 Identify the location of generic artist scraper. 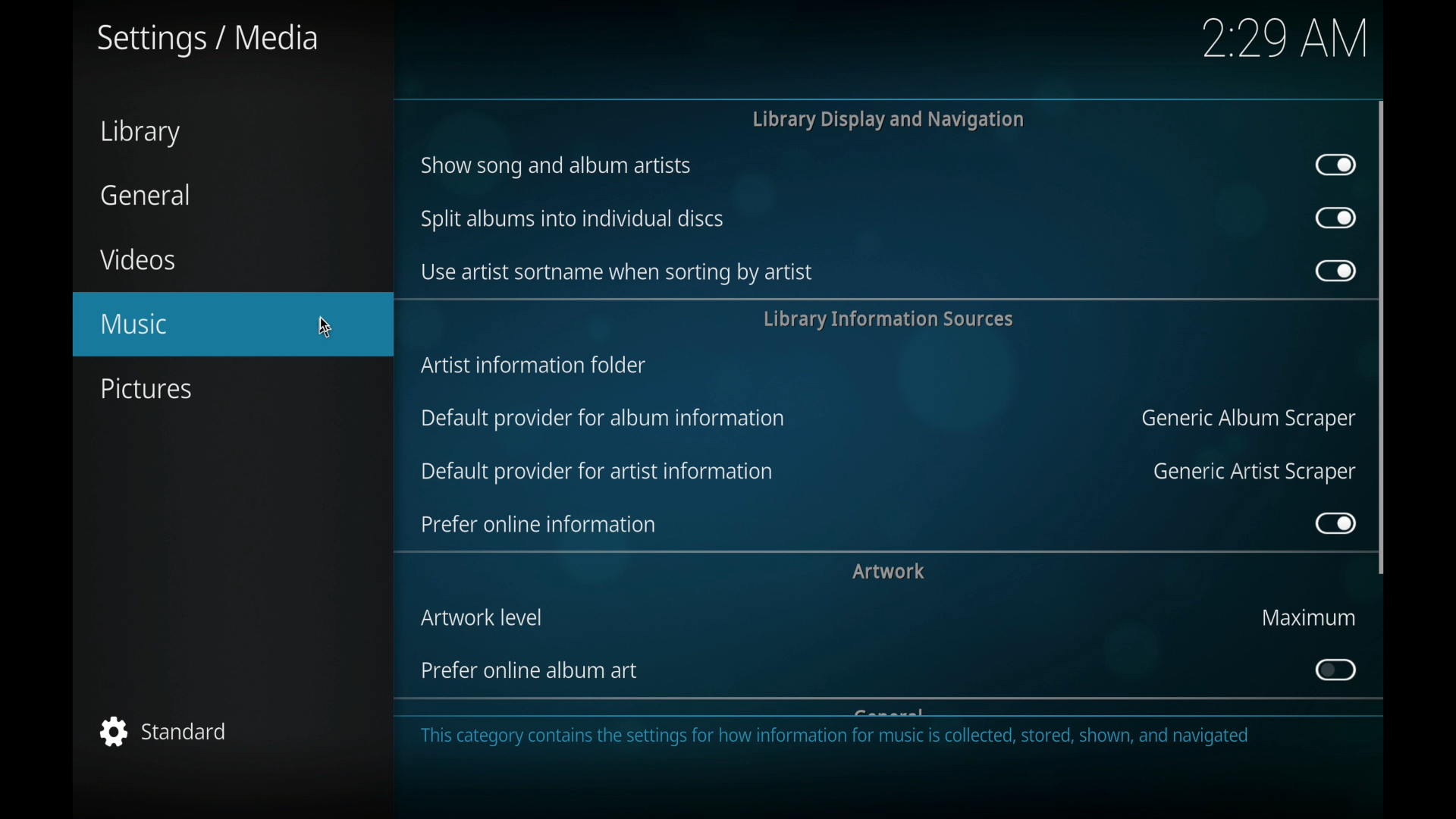
(1252, 472).